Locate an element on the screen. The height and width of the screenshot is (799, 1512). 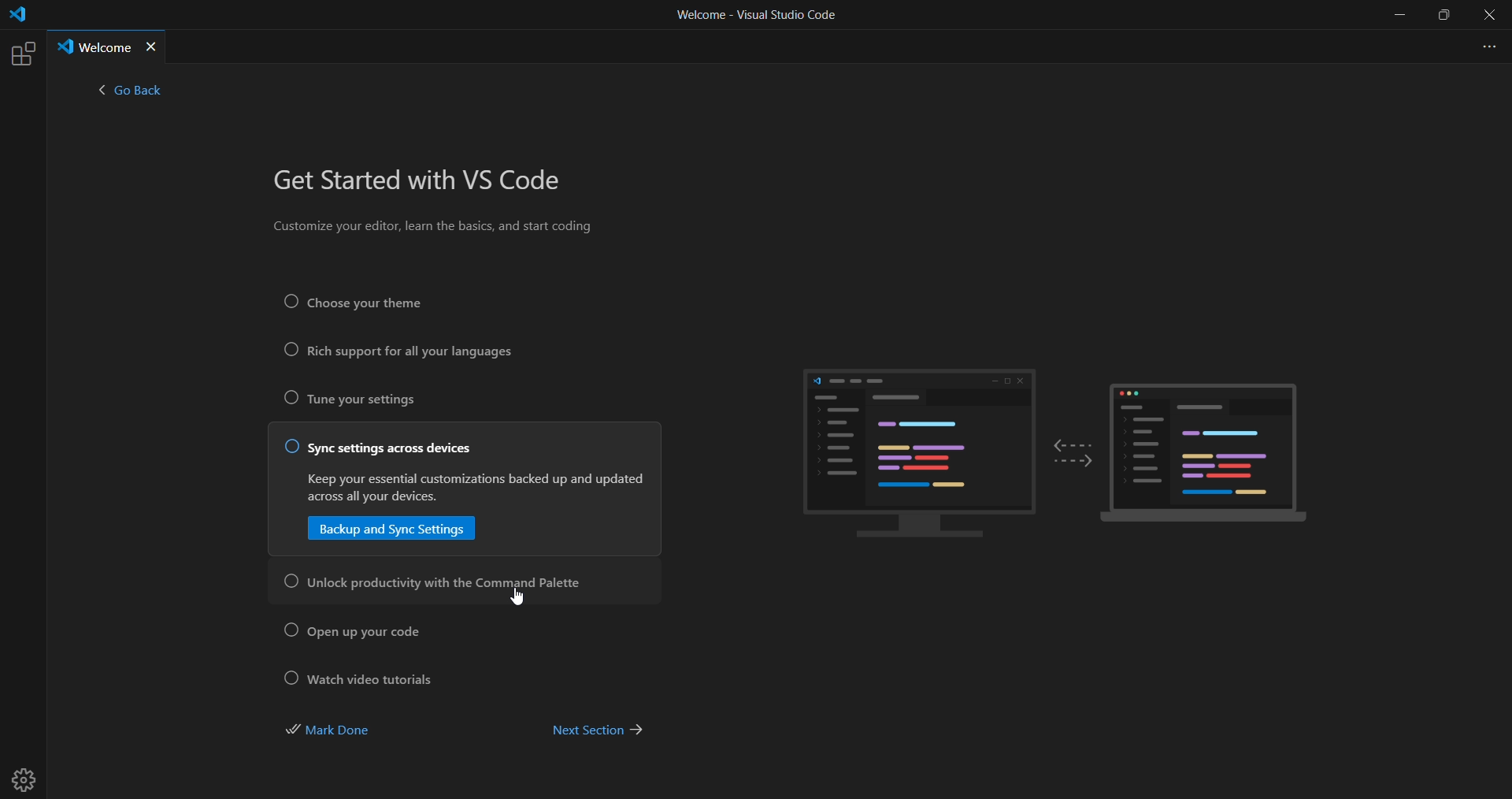
settings is located at coordinates (28, 774).